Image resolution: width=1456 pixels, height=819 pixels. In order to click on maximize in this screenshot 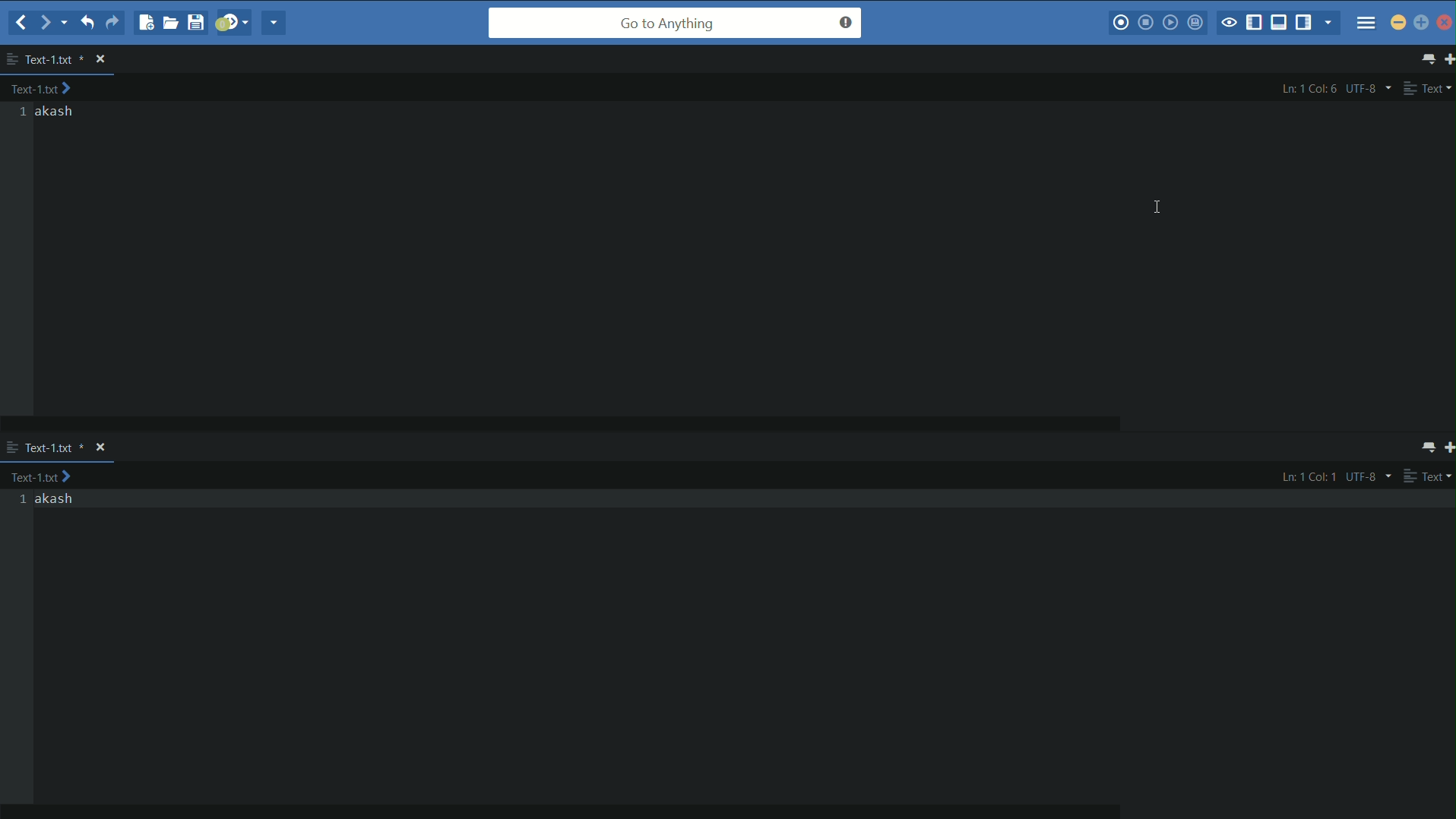, I will do `click(1422, 24)`.